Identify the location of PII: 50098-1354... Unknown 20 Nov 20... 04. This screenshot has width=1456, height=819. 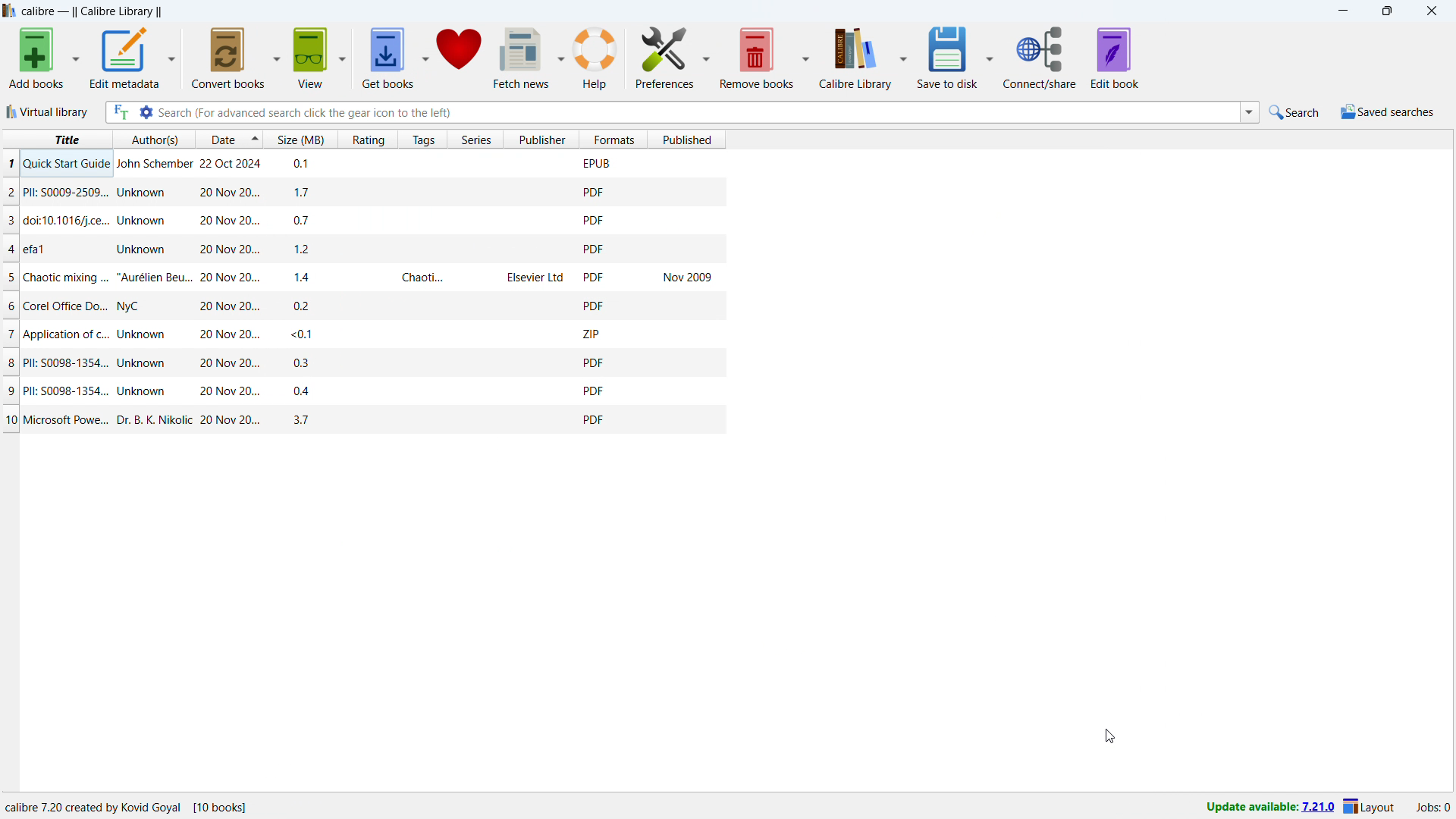
(331, 391).